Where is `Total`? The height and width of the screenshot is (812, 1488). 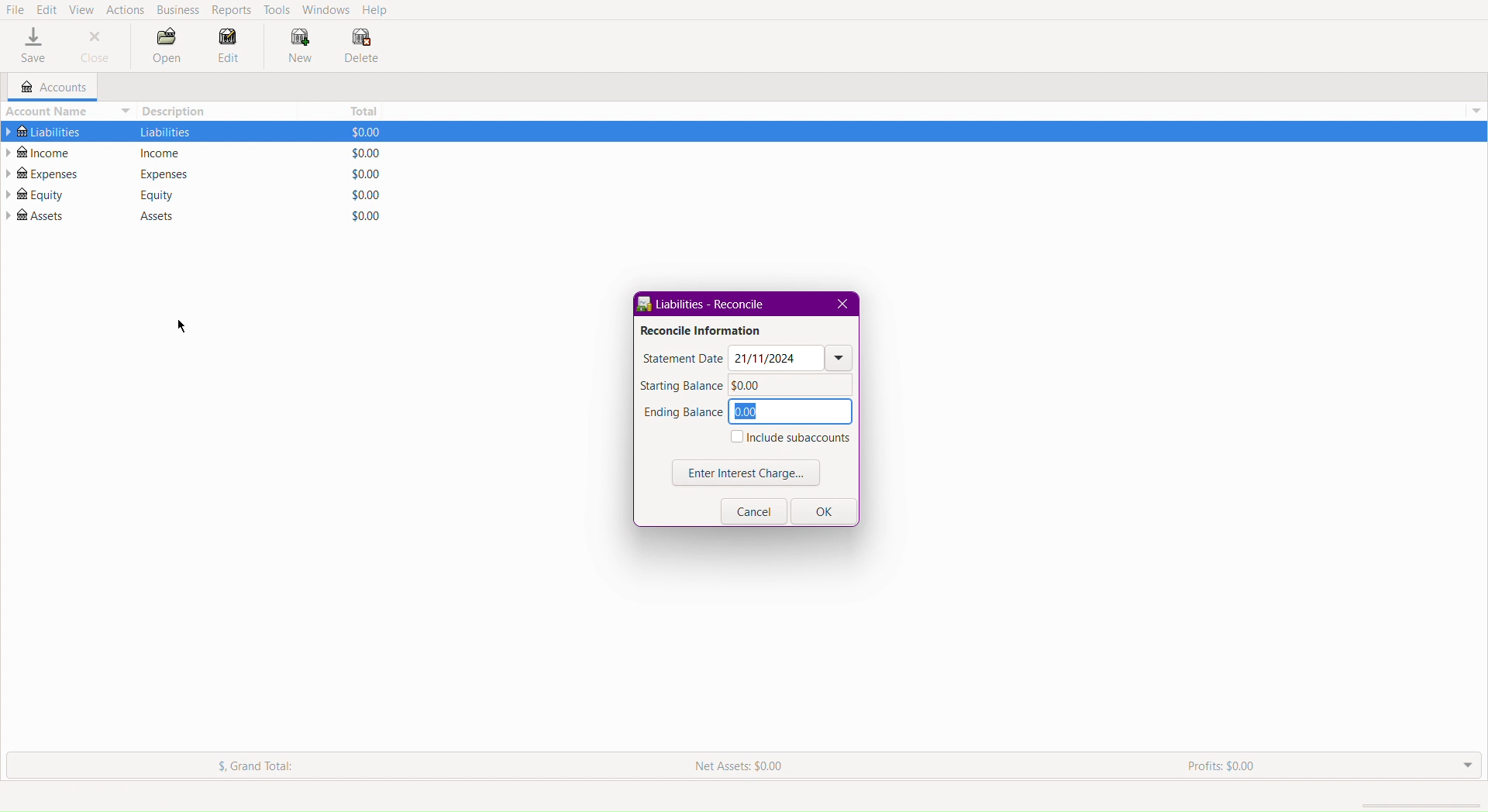
Total is located at coordinates (371, 217).